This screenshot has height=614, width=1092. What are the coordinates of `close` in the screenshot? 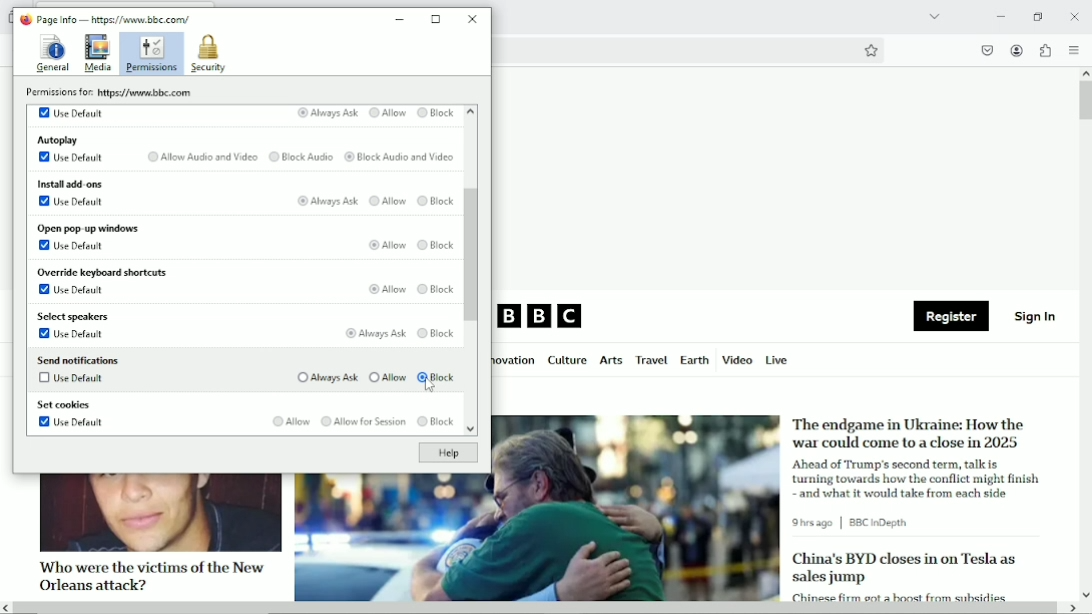 It's located at (1074, 15).